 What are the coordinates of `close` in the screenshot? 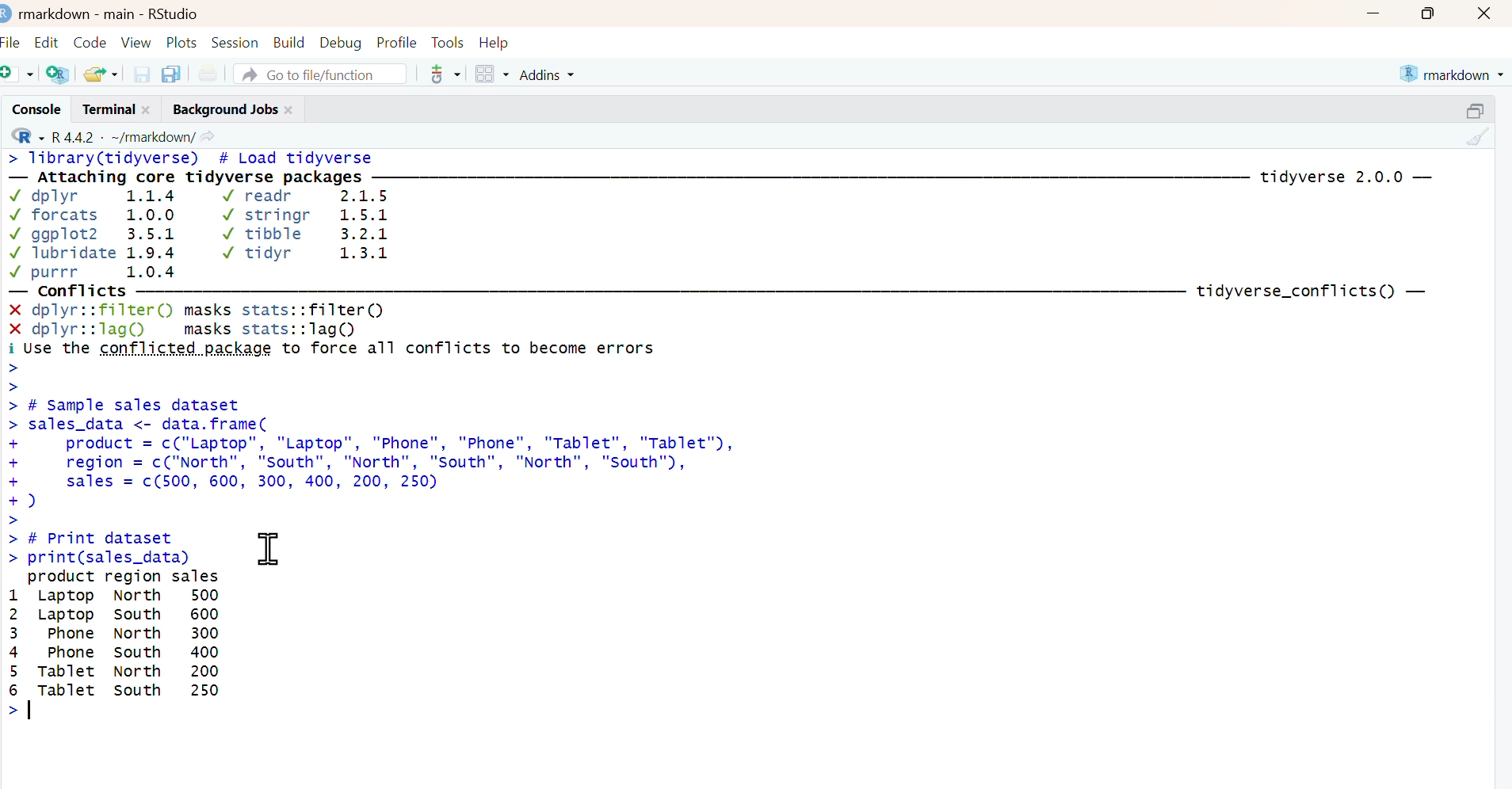 It's located at (292, 108).